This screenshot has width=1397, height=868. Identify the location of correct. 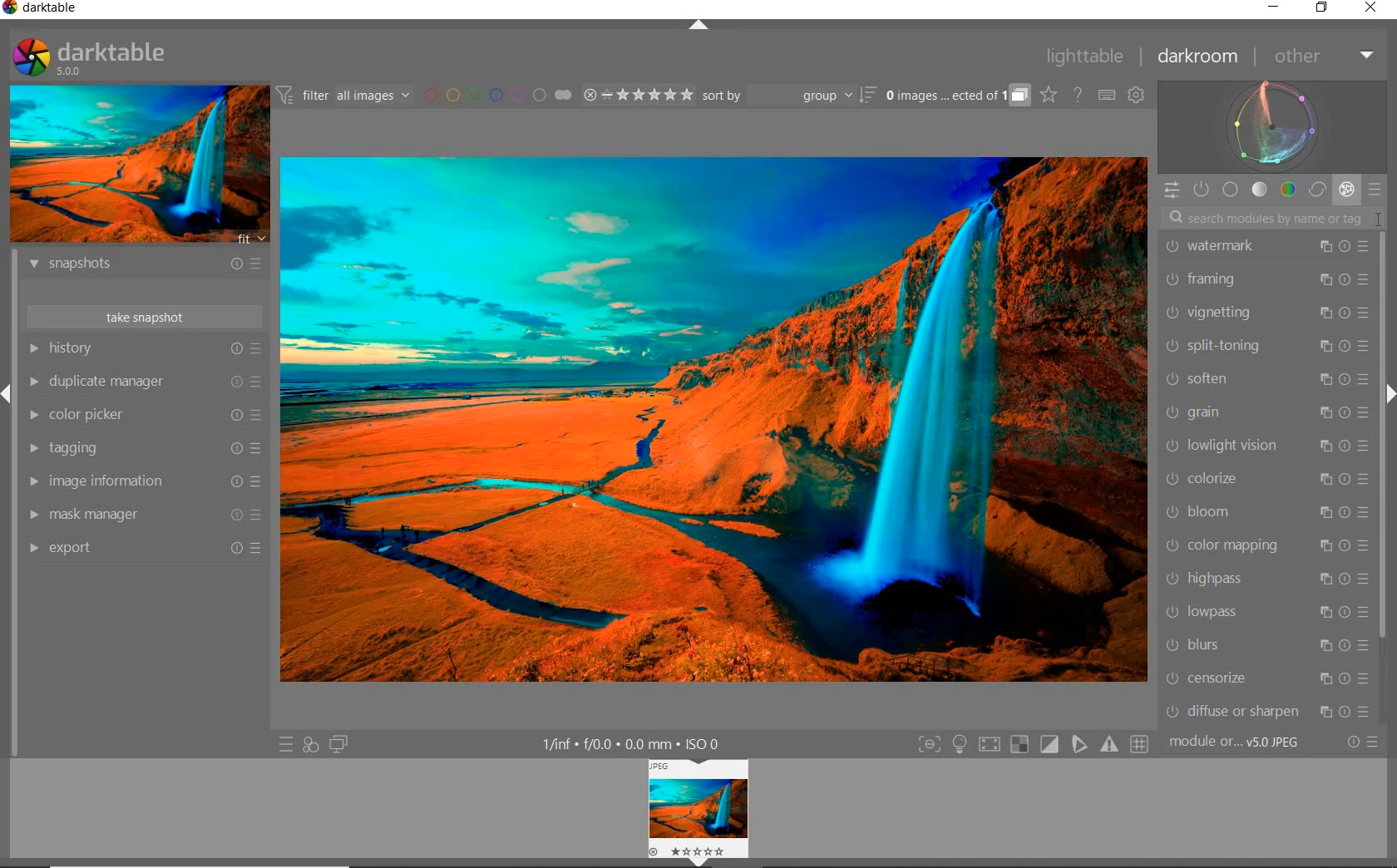
(1316, 189).